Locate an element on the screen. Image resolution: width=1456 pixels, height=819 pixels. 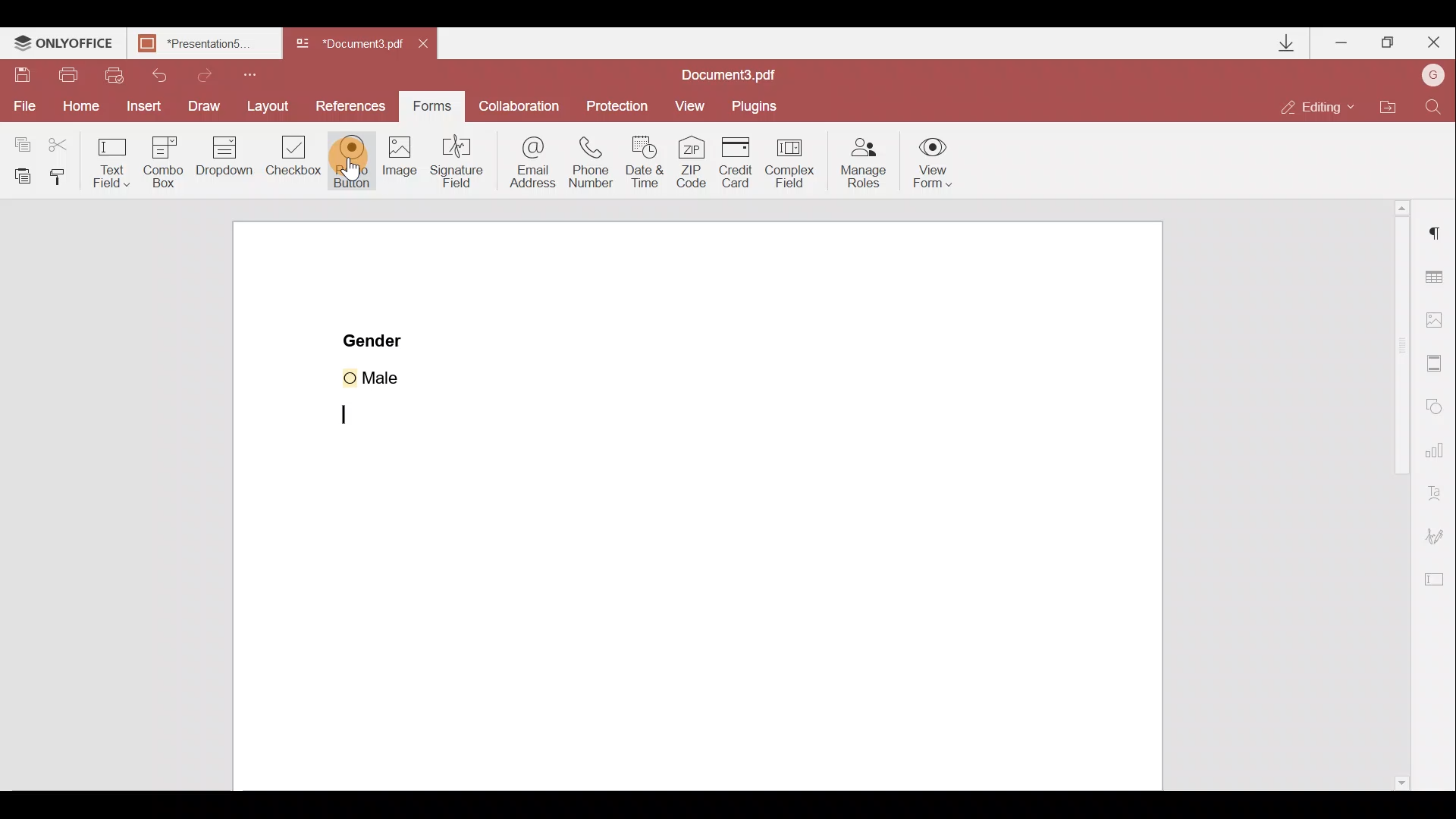
Cut is located at coordinates (58, 142).